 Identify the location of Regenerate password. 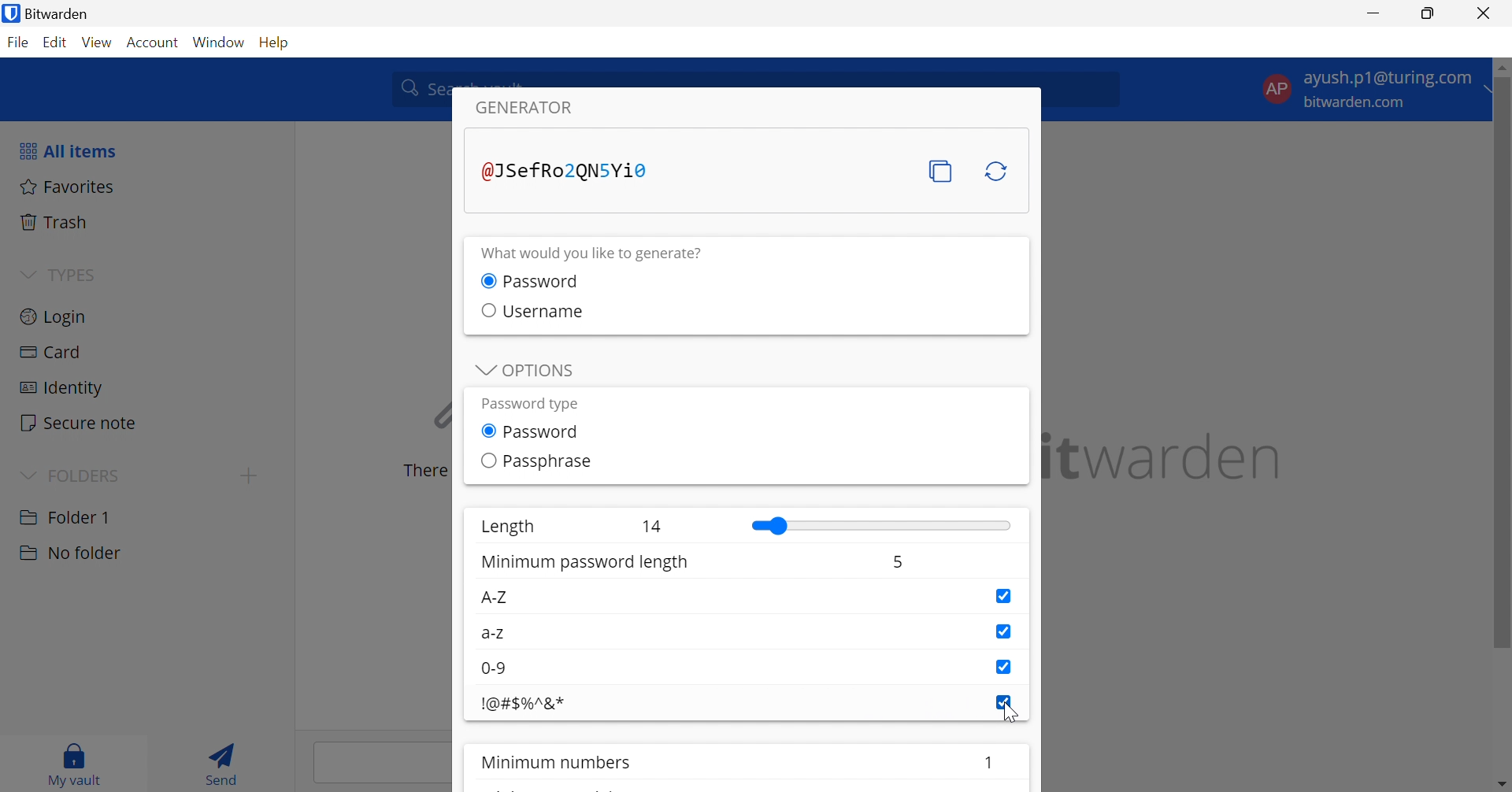
(998, 172).